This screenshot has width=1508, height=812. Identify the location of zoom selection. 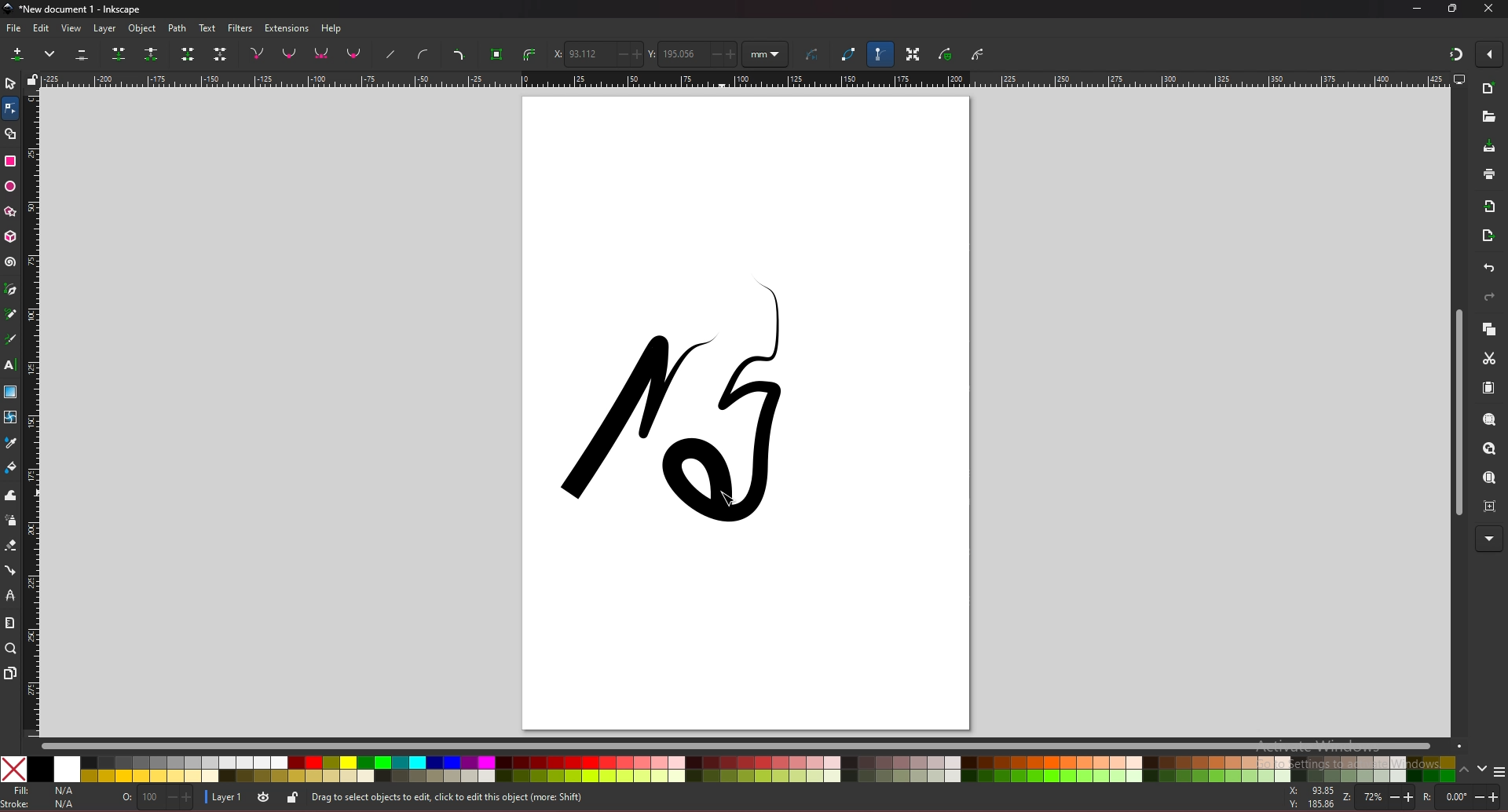
(1488, 420).